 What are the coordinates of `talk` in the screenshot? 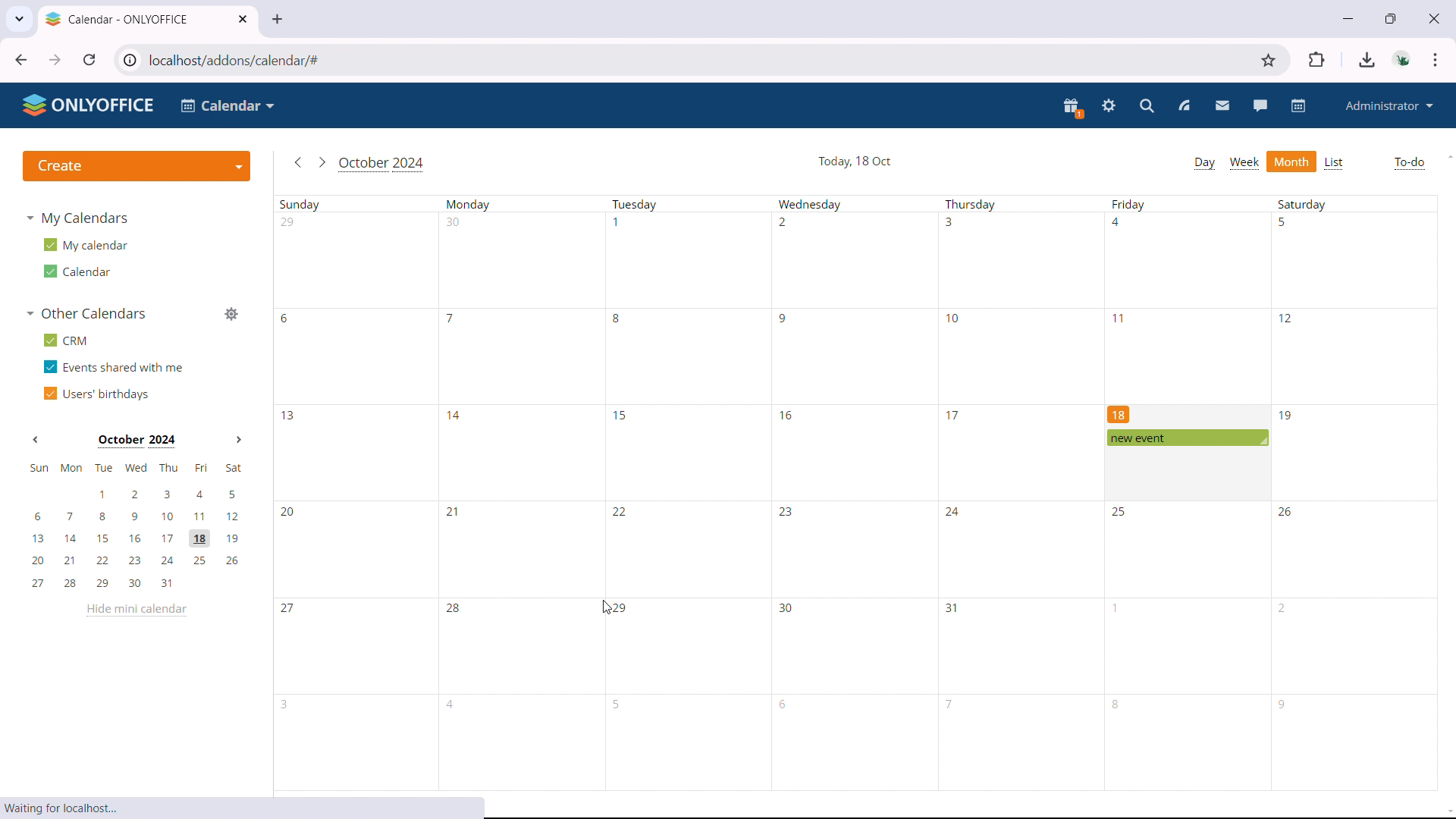 It's located at (1260, 105).